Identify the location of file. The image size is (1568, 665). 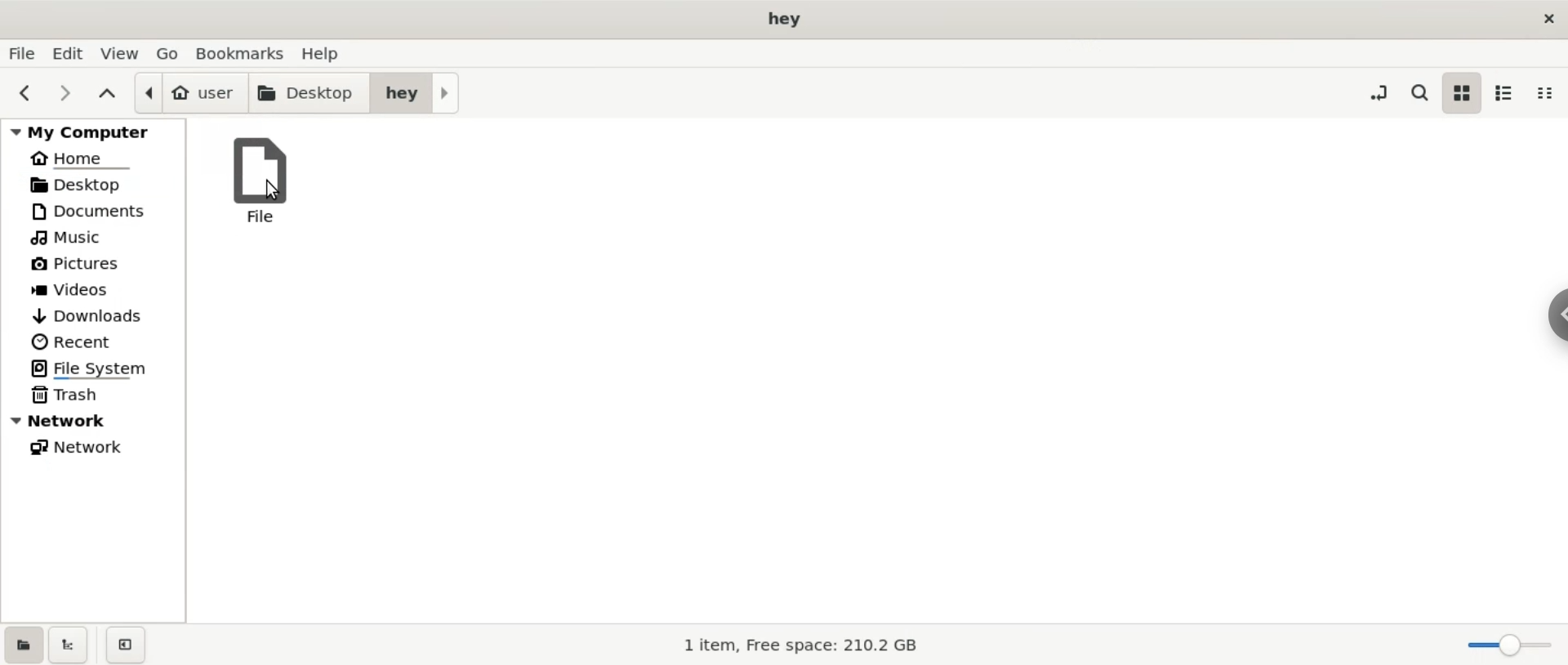
(263, 181).